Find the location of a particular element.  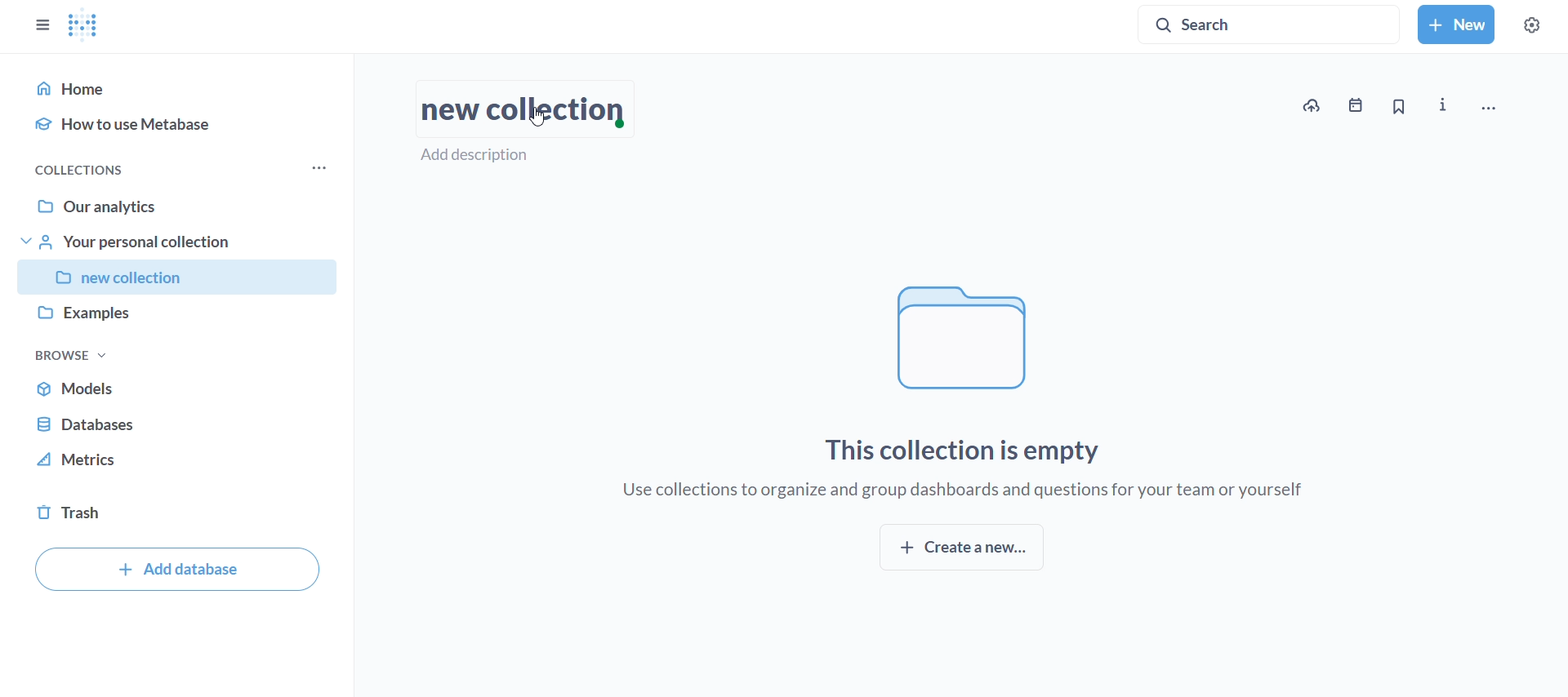

collections is located at coordinates (78, 171).